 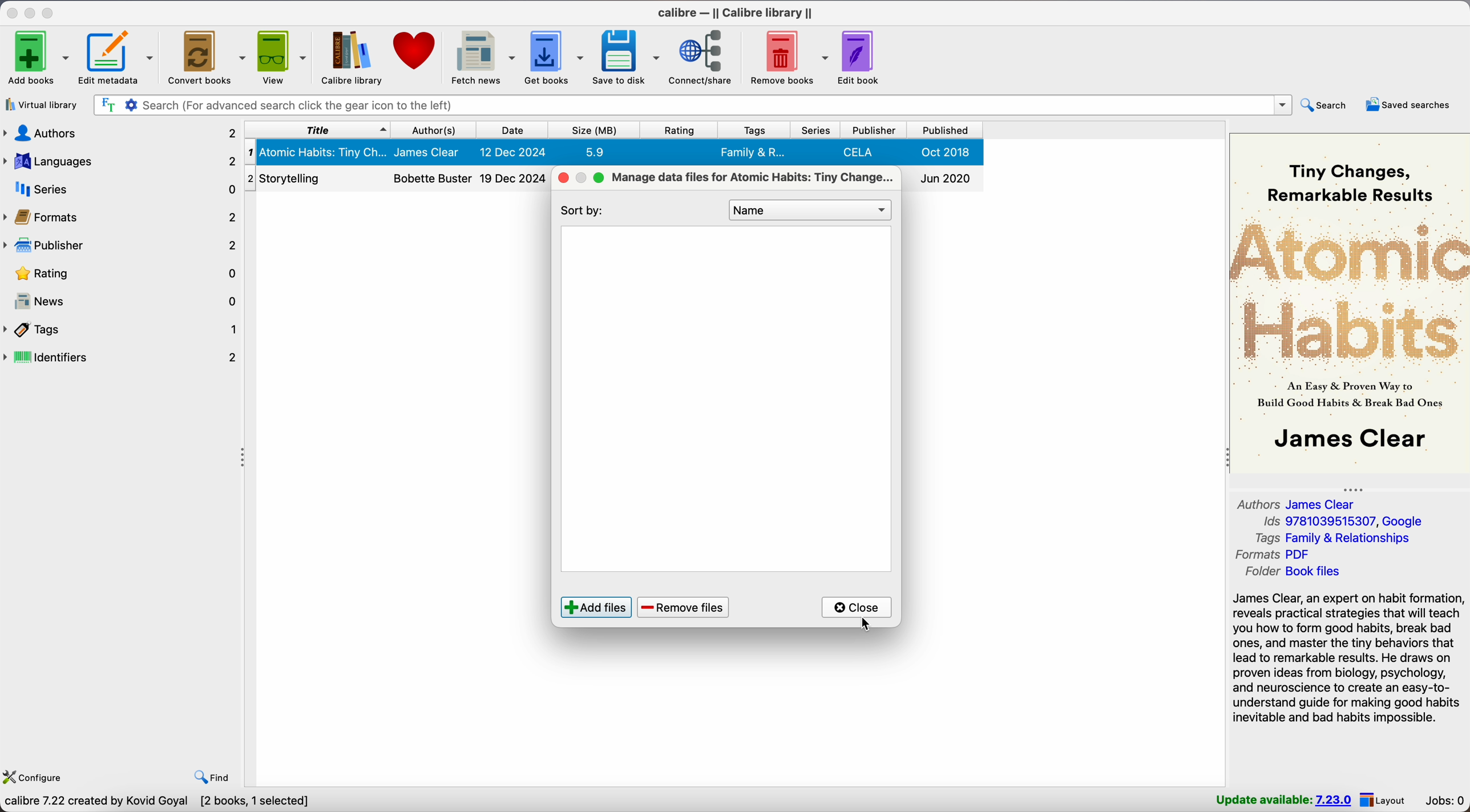 I want to click on close Calibre, so click(x=10, y=11).